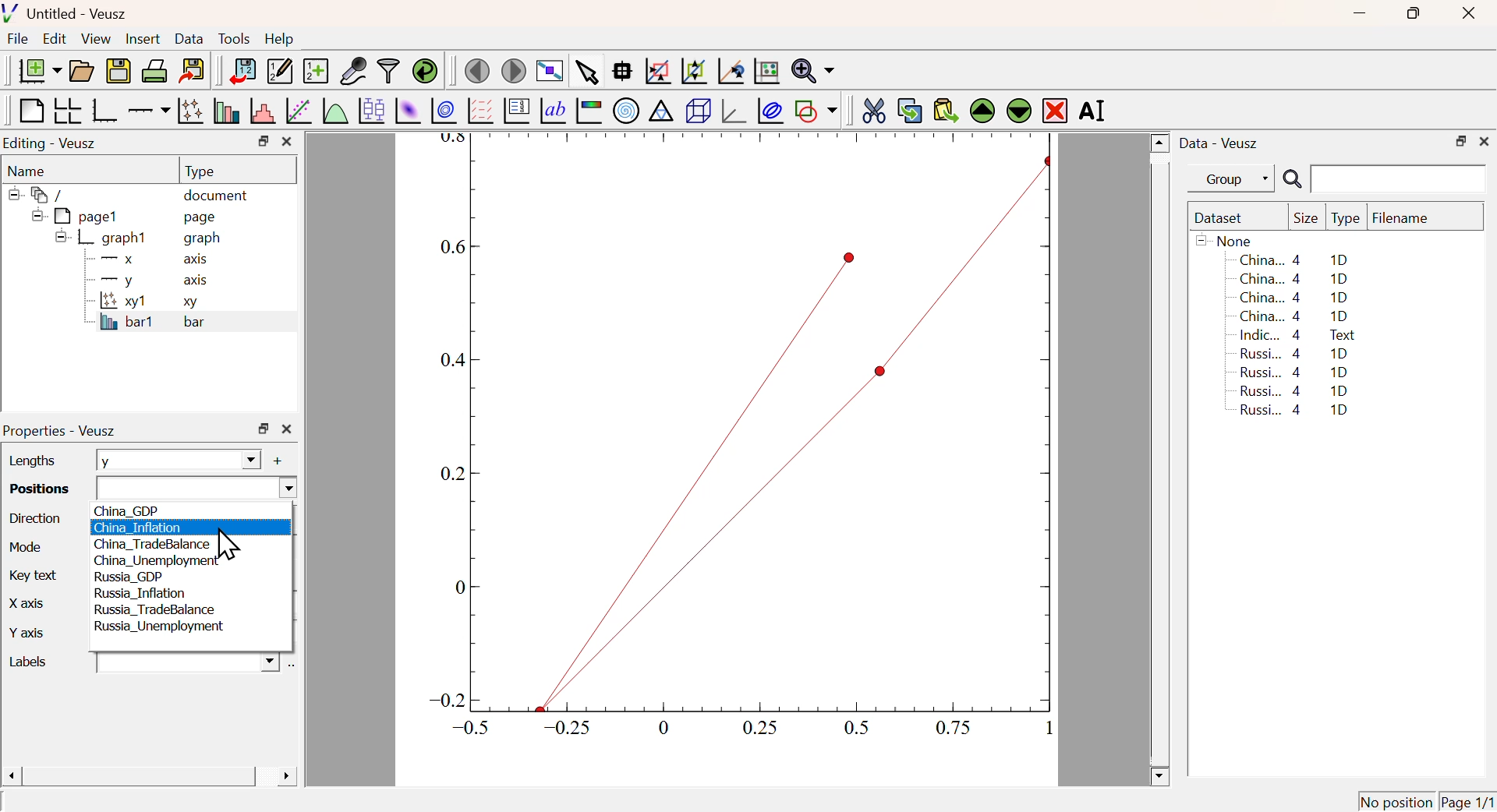 The height and width of the screenshot is (812, 1497). I want to click on Edit, so click(55, 37).